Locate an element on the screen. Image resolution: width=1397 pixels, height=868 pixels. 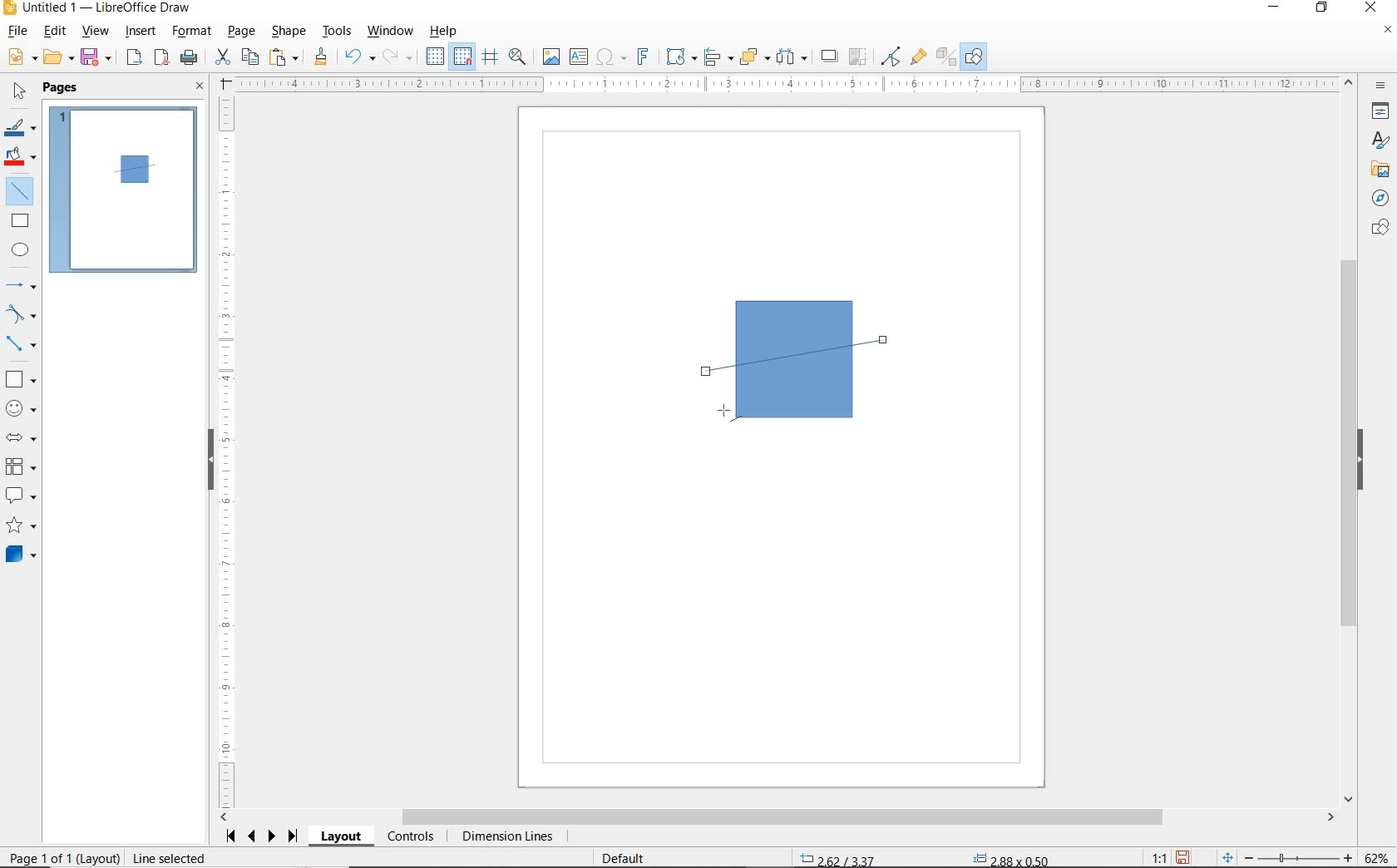
VIEW is located at coordinates (95, 31).